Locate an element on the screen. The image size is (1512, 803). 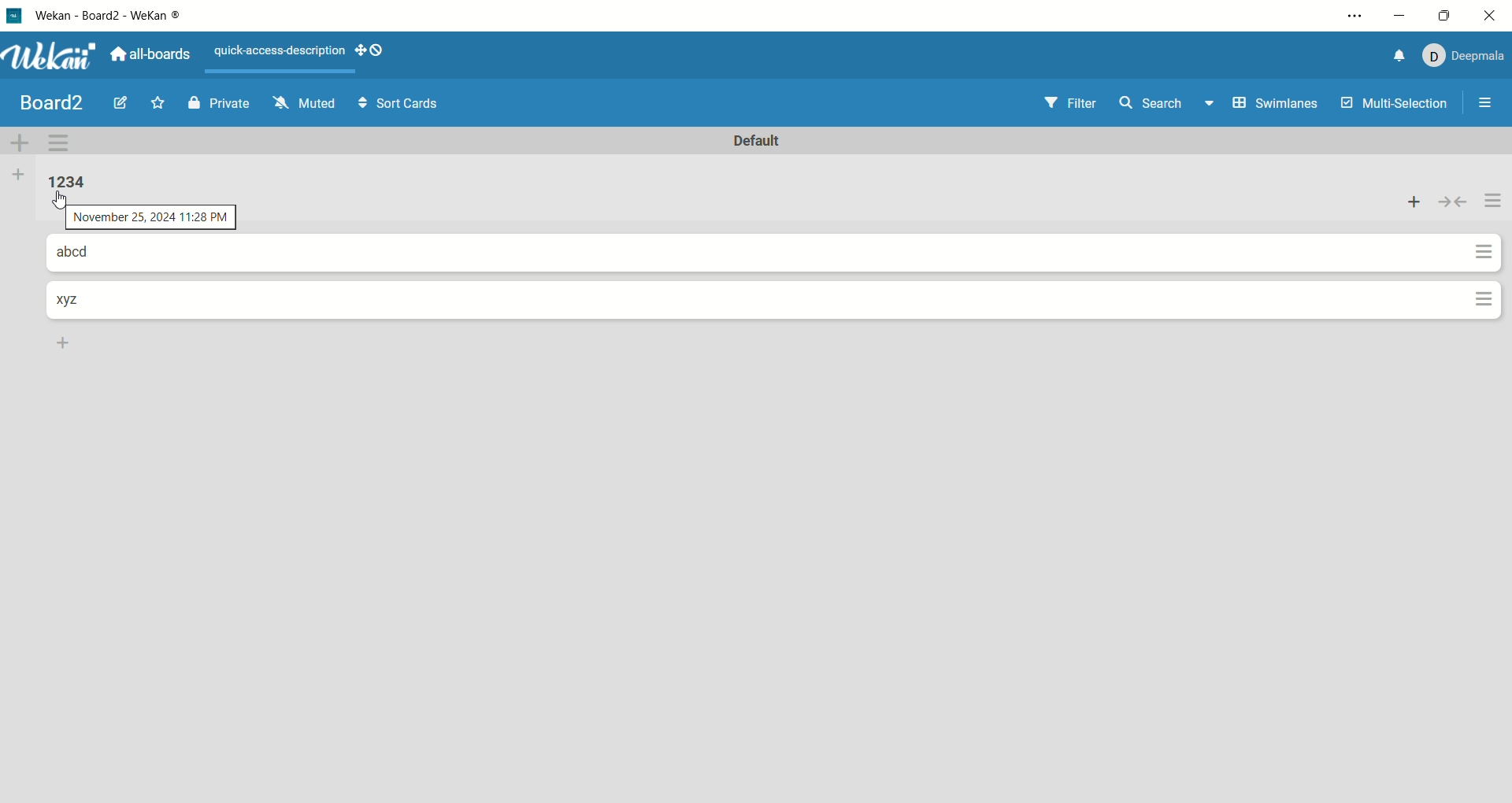
date and time of creation is located at coordinates (150, 219).